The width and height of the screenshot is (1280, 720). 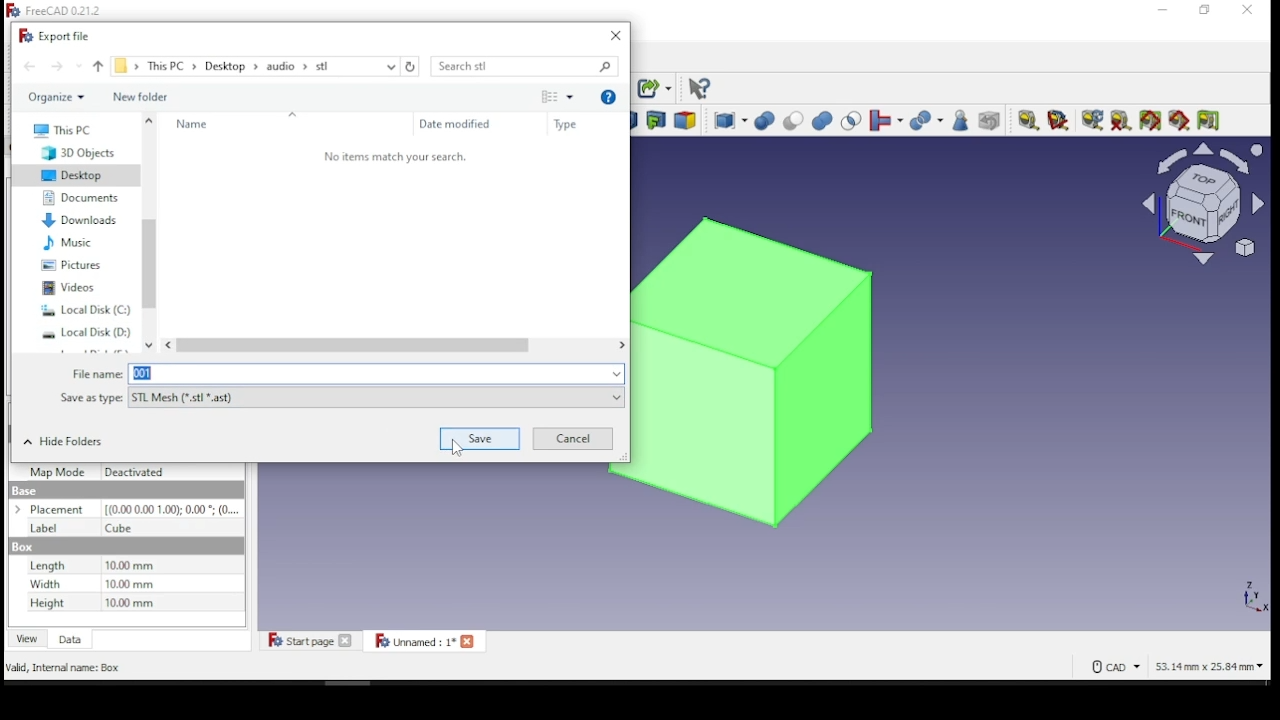 I want to click on this PC, so click(x=68, y=131).